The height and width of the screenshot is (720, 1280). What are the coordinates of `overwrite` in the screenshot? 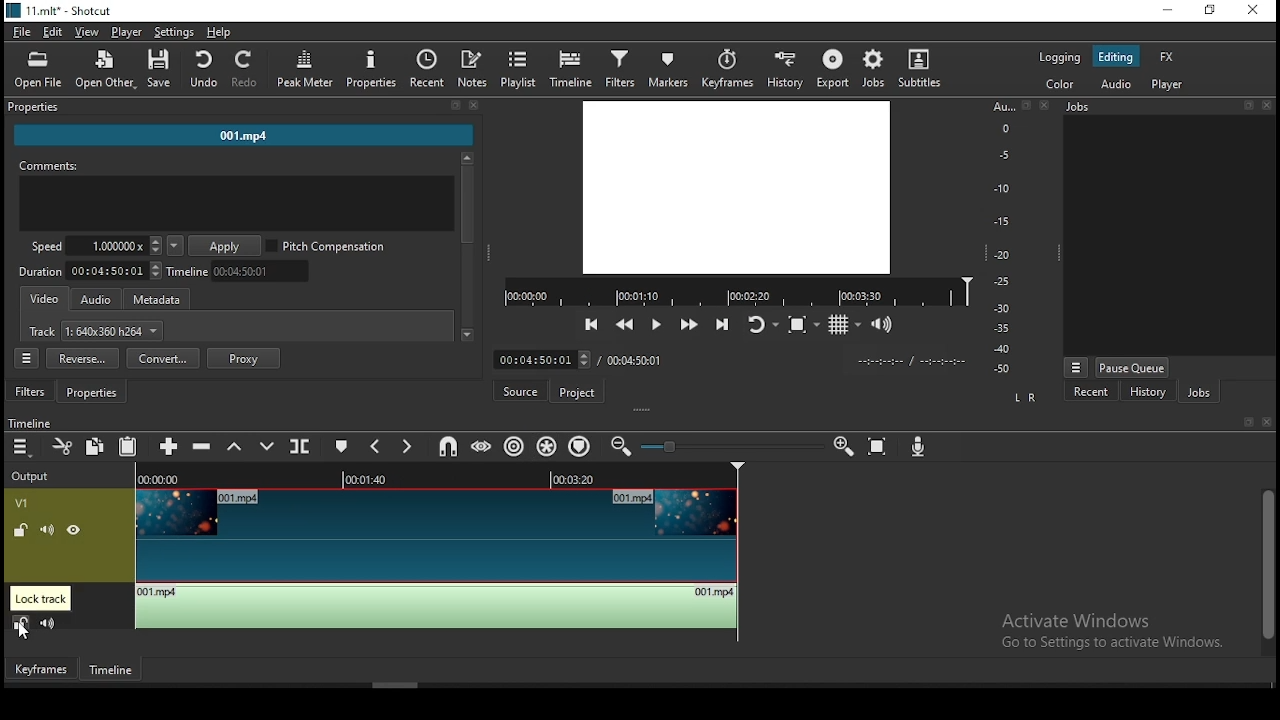 It's located at (267, 447).